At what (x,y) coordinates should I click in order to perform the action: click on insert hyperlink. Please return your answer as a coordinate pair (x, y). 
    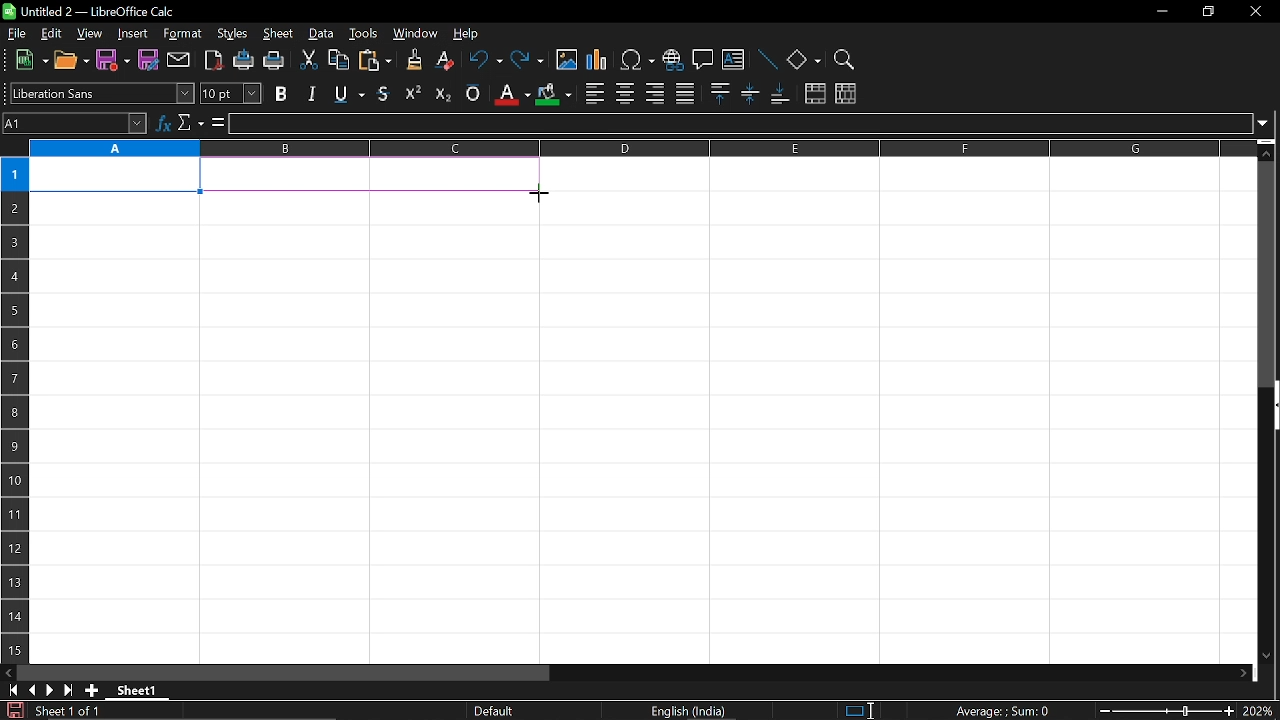
    Looking at the image, I should click on (672, 58).